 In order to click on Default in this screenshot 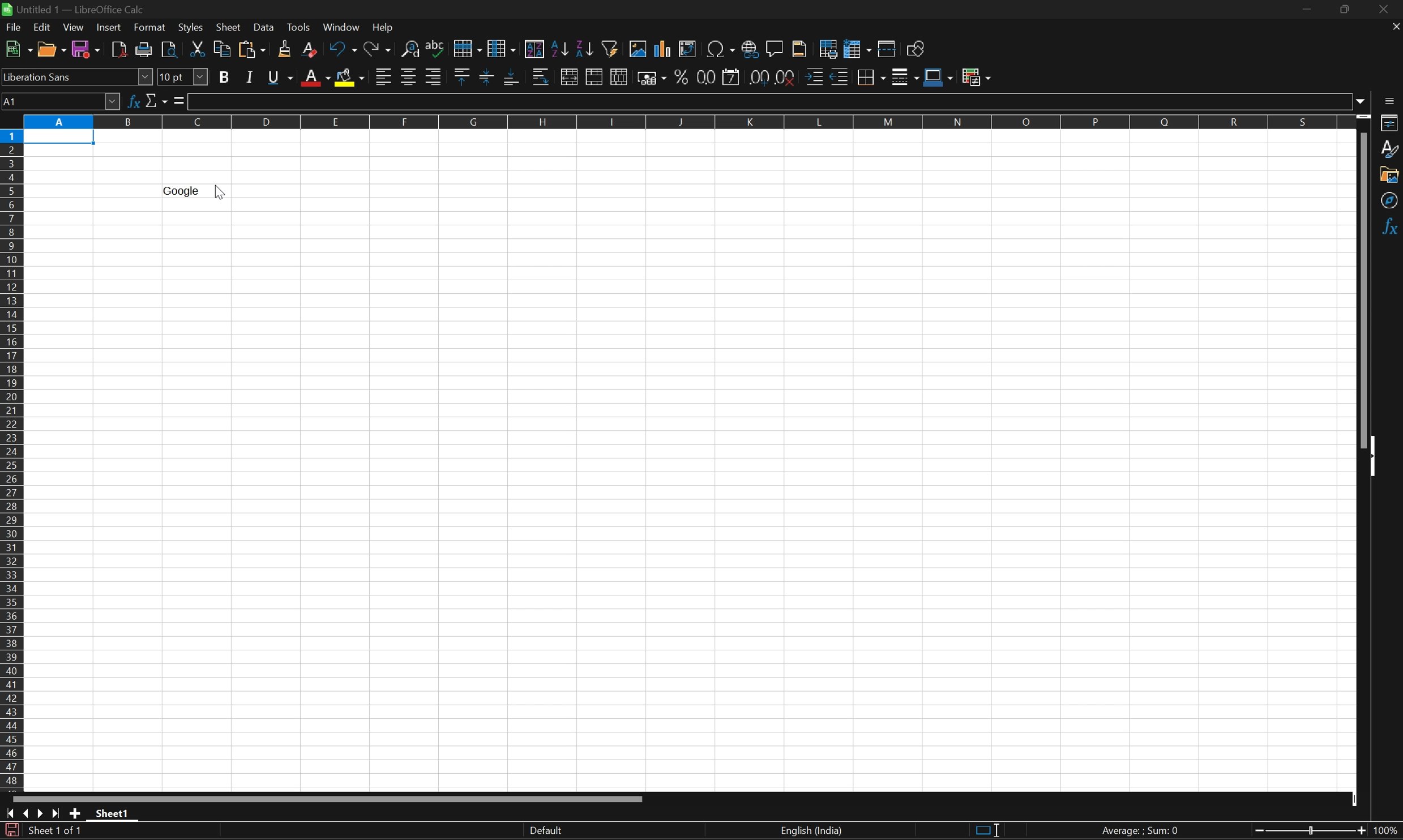, I will do `click(544, 830)`.